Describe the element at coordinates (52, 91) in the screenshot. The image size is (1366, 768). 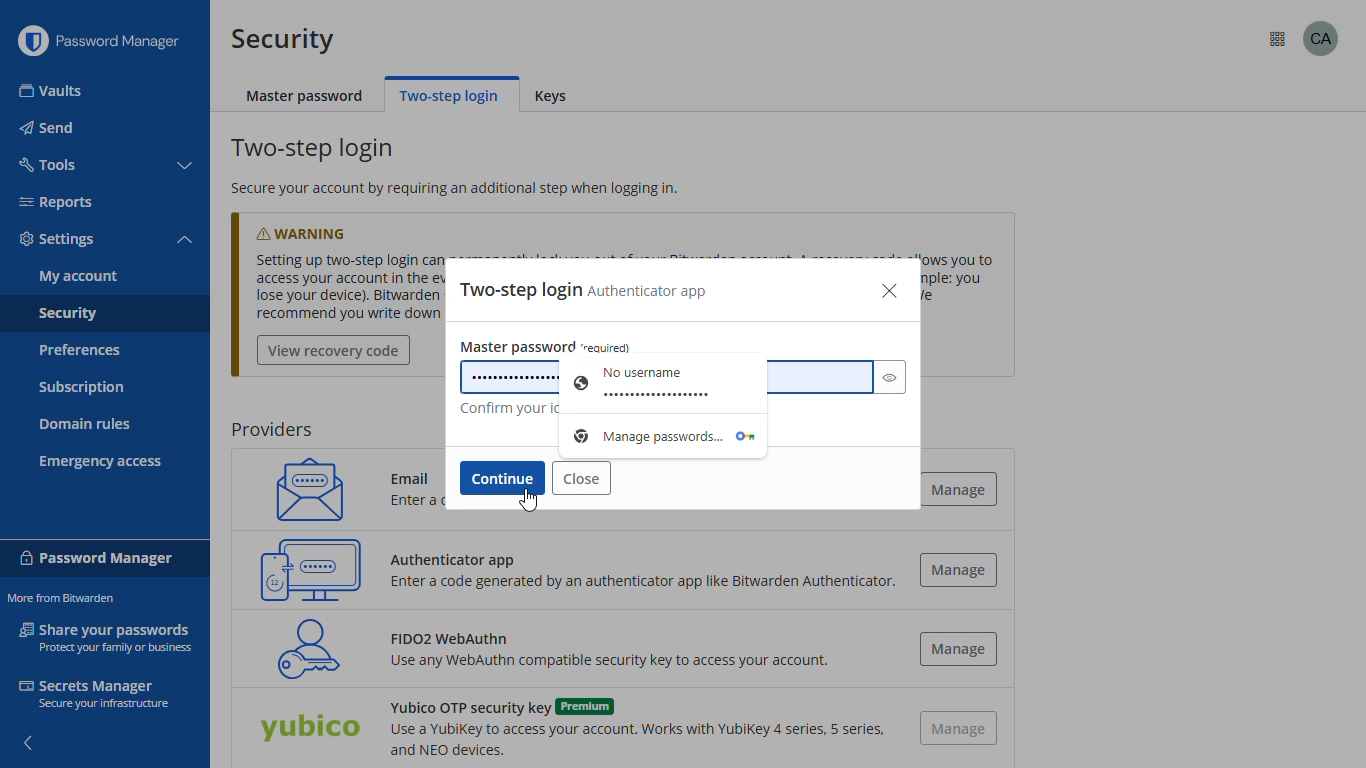
I see `vaults` at that location.